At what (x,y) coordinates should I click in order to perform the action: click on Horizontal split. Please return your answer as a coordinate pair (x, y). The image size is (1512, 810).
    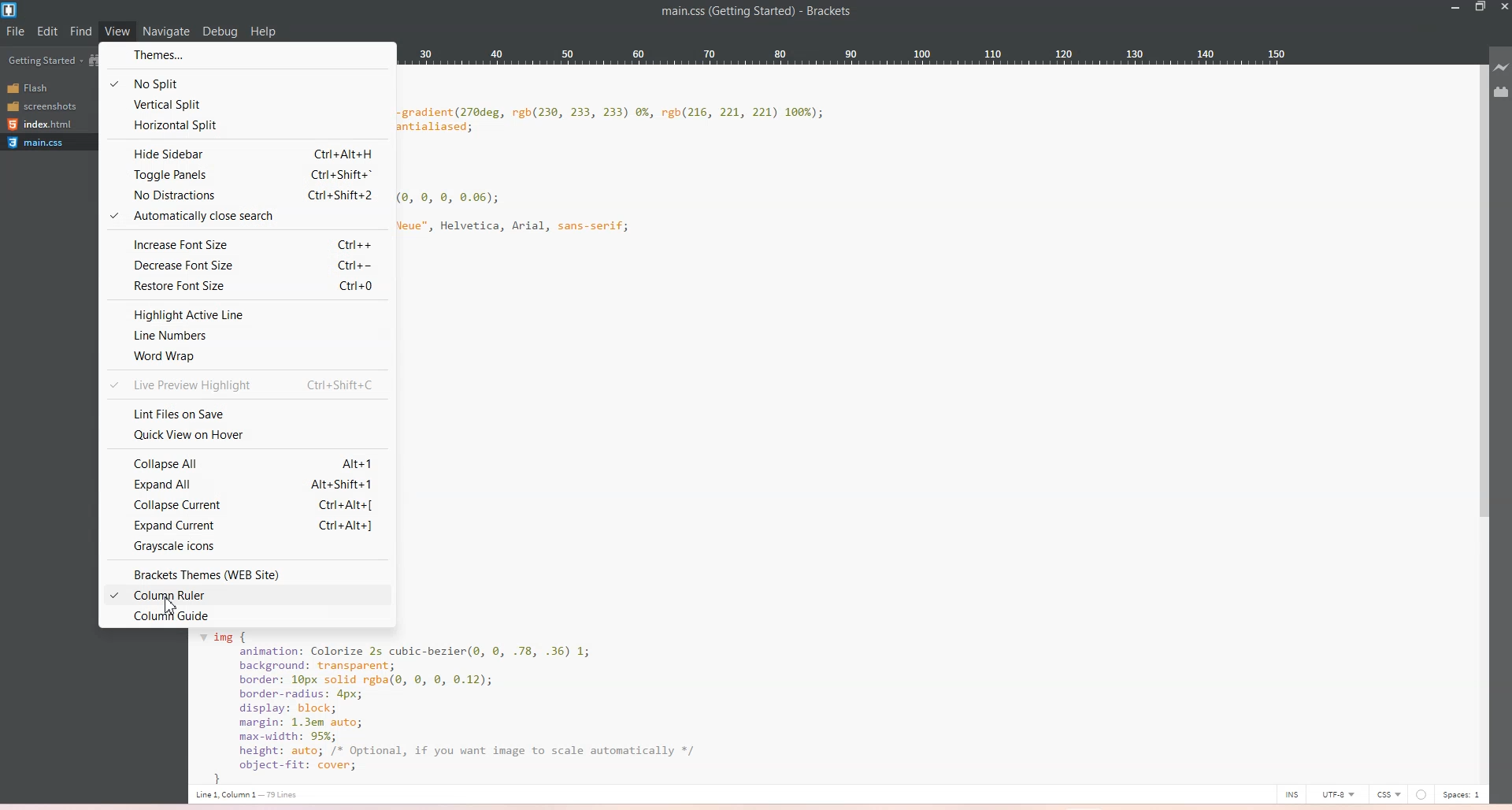
    Looking at the image, I should click on (247, 125).